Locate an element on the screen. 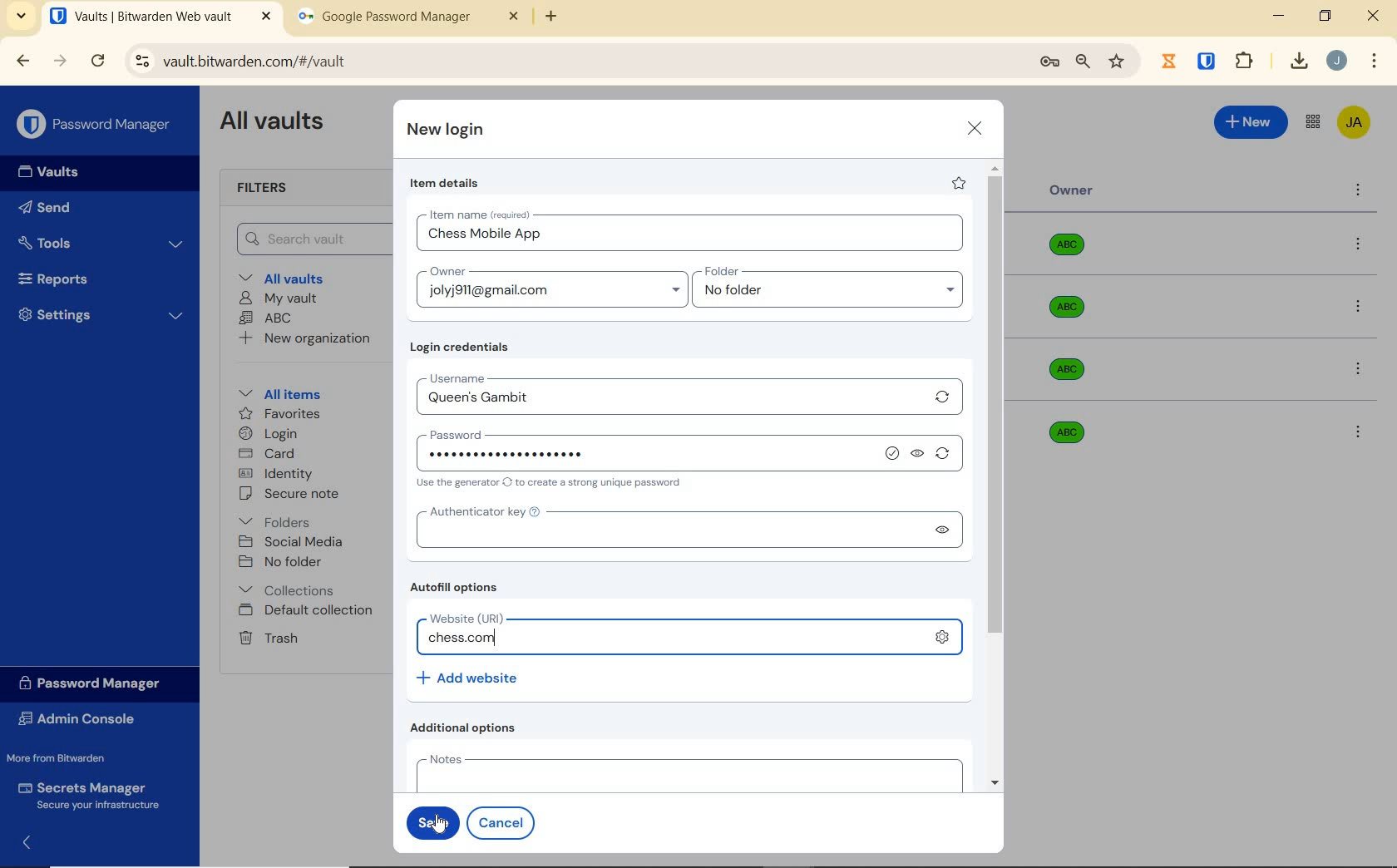 The width and height of the screenshot is (1397, 868). All items is located at coordinates (277, 392).